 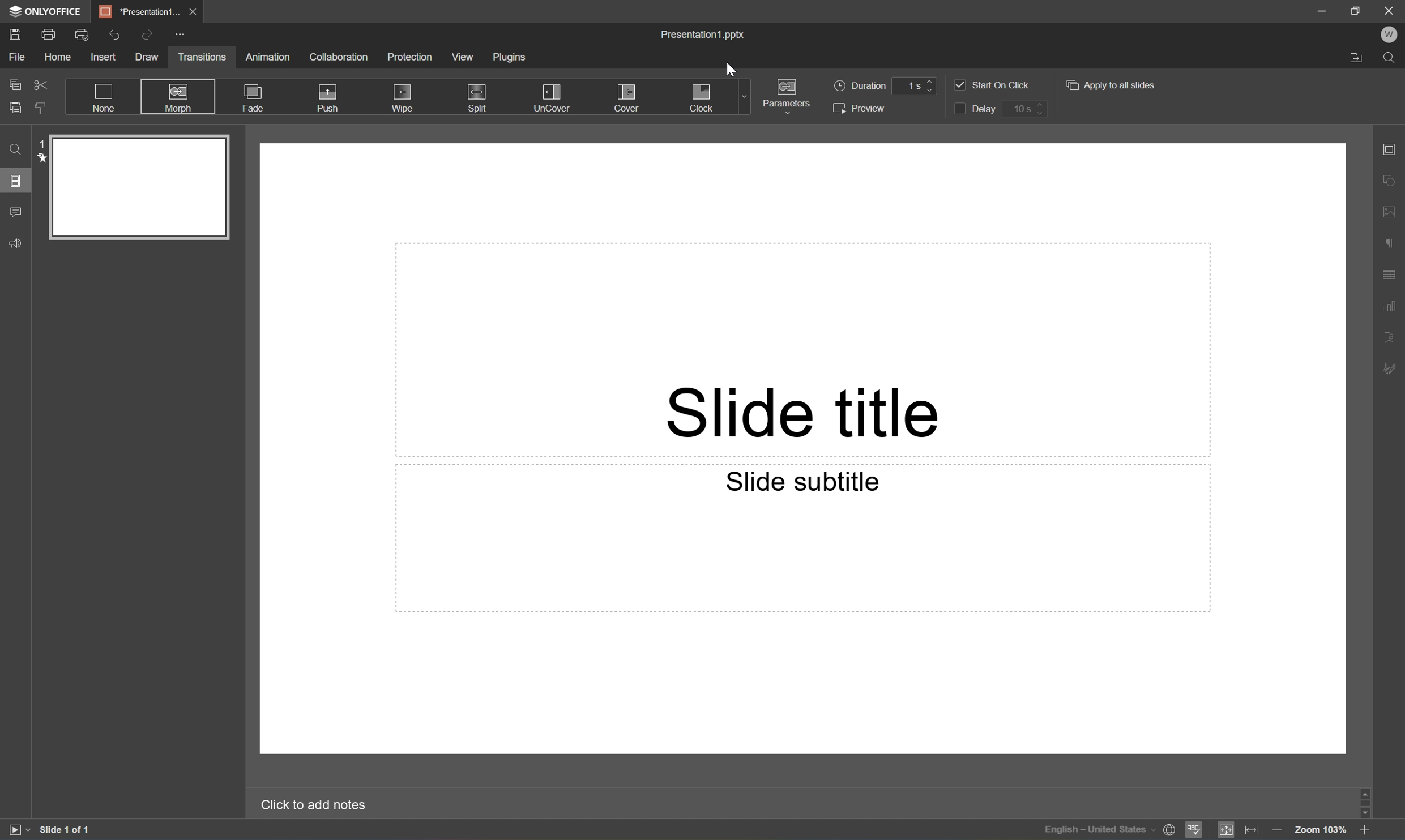 What do you see at coordinates (802, 414) in the screenshot?
I see `Slide title` at bounding box center [802, 414].